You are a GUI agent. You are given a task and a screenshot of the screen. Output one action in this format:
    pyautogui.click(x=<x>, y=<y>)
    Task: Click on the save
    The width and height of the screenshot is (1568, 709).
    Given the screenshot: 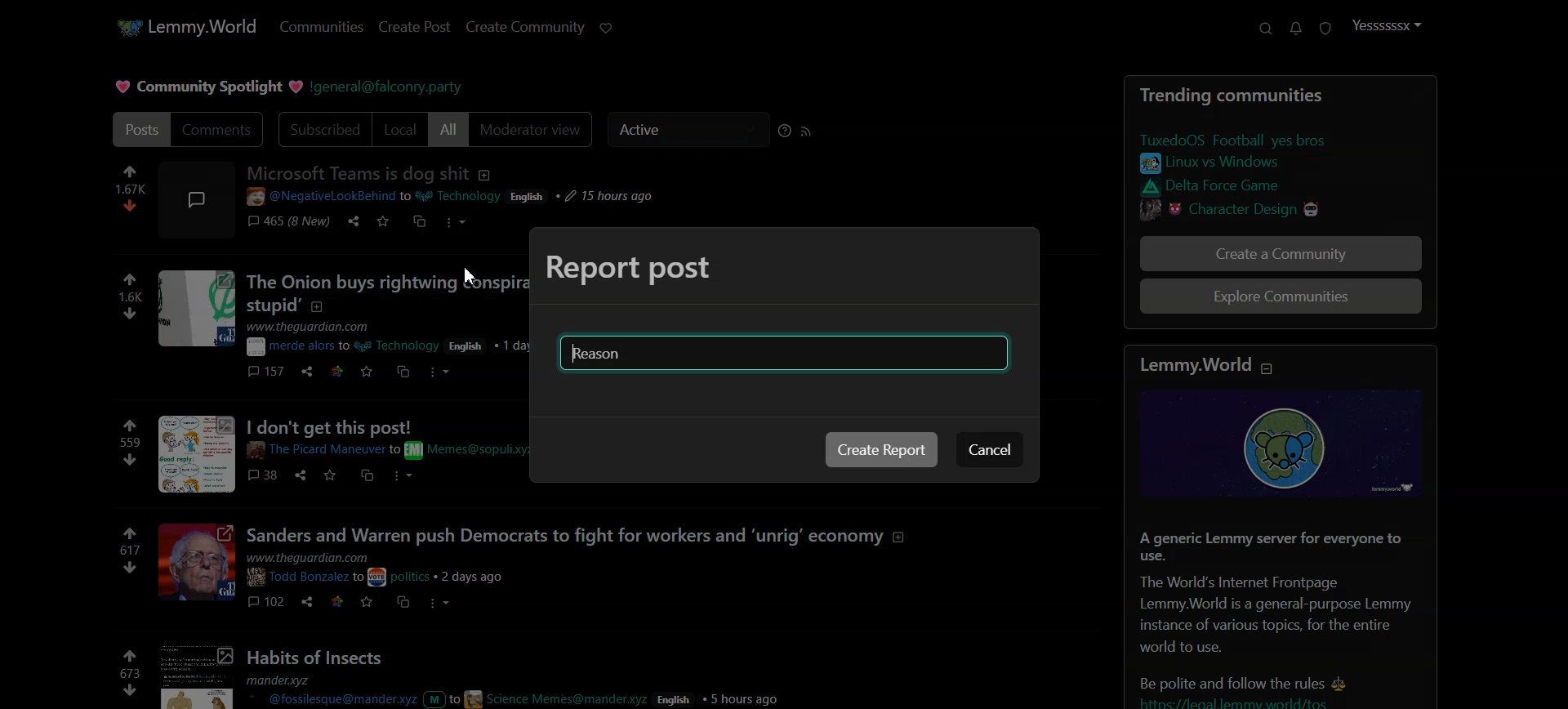 What is the action you would take?
    pyautogui.click(x=369, y=602)
    